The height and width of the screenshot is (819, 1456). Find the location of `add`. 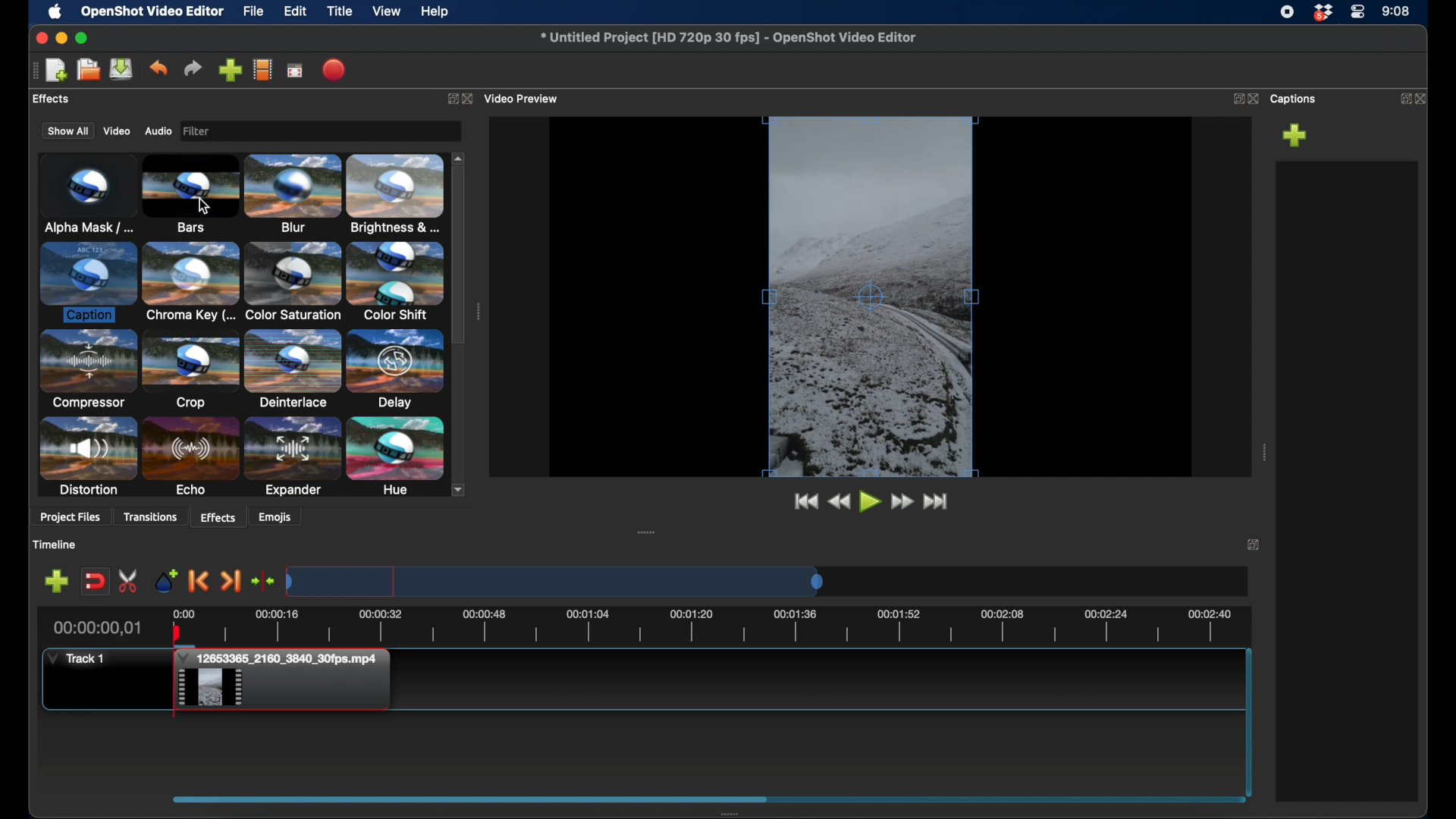

add is located at coordinates (1295, 135).